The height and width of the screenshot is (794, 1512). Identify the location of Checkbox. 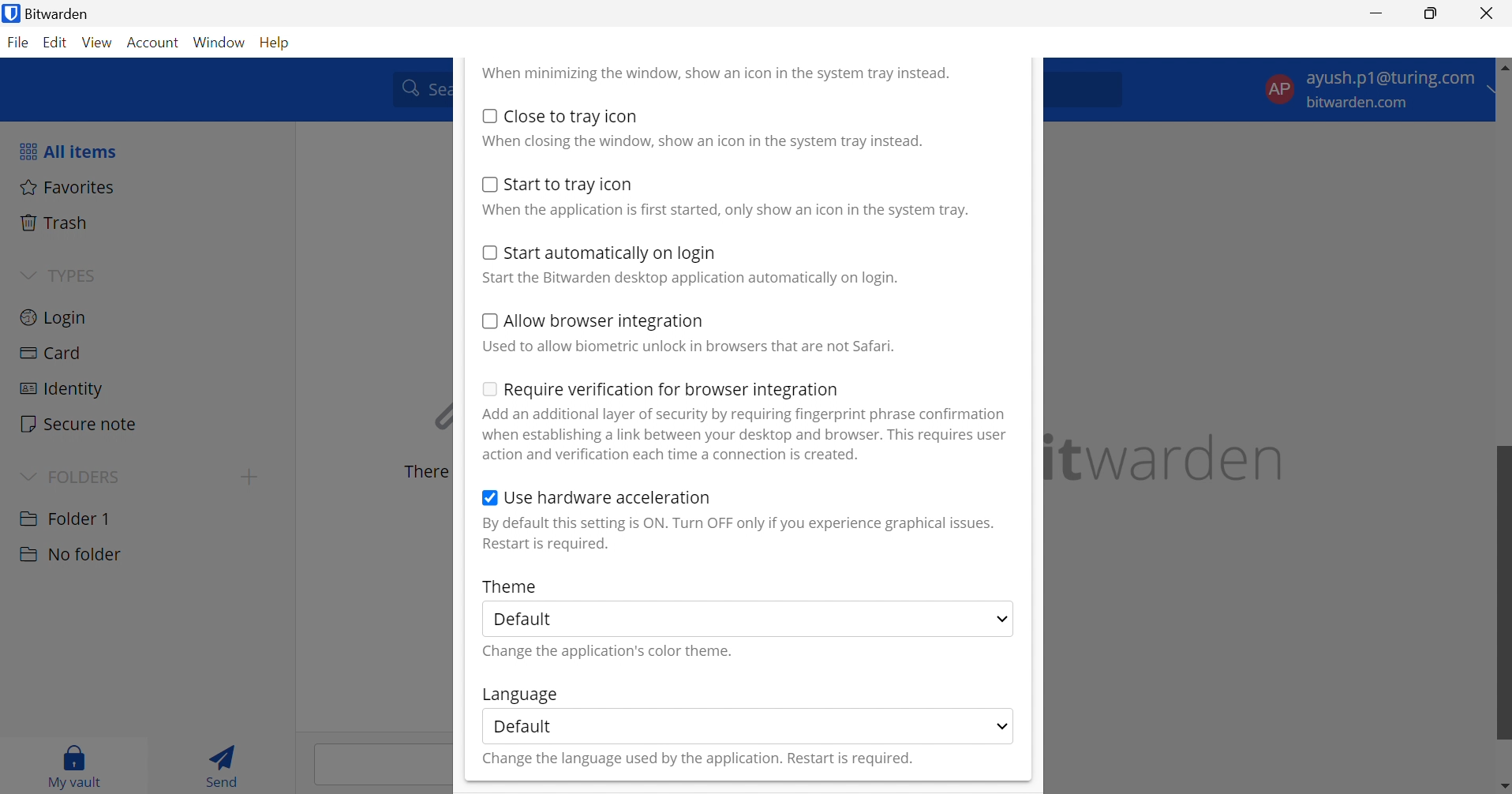
(489, 115).